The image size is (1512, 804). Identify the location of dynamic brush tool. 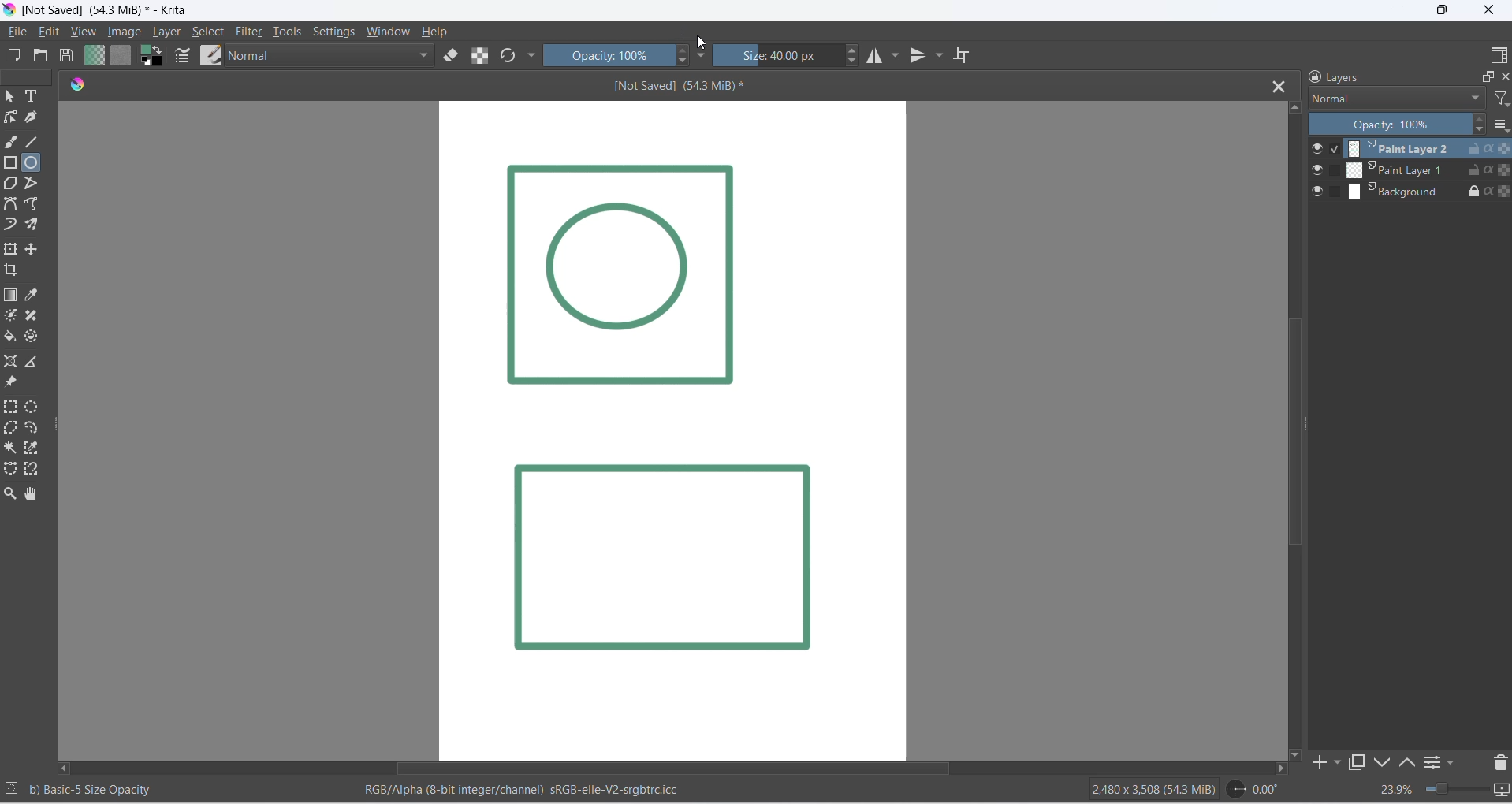
(13, 226).